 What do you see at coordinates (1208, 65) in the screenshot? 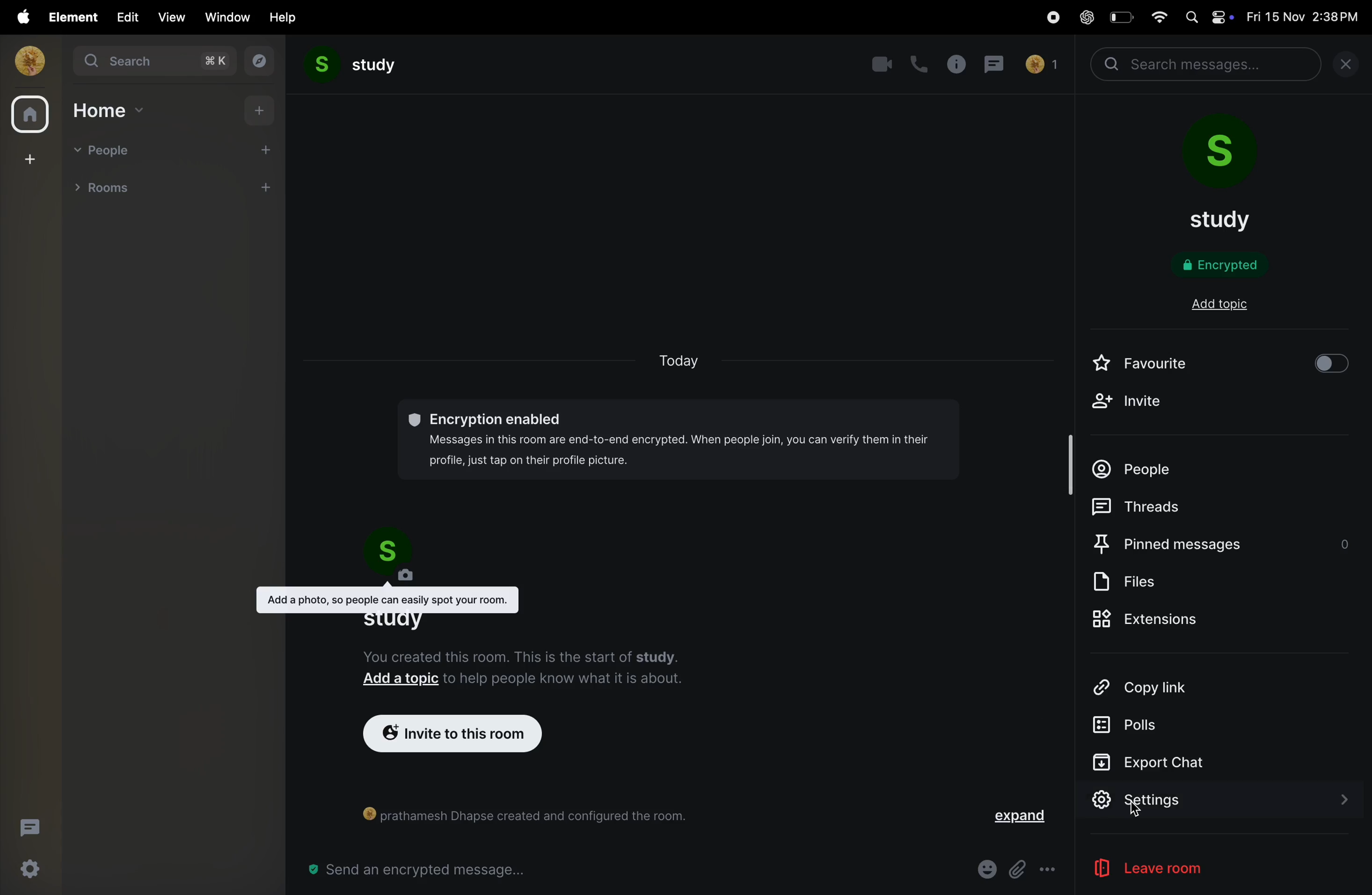
I see `search bar` at bounding box center [1208, 65].